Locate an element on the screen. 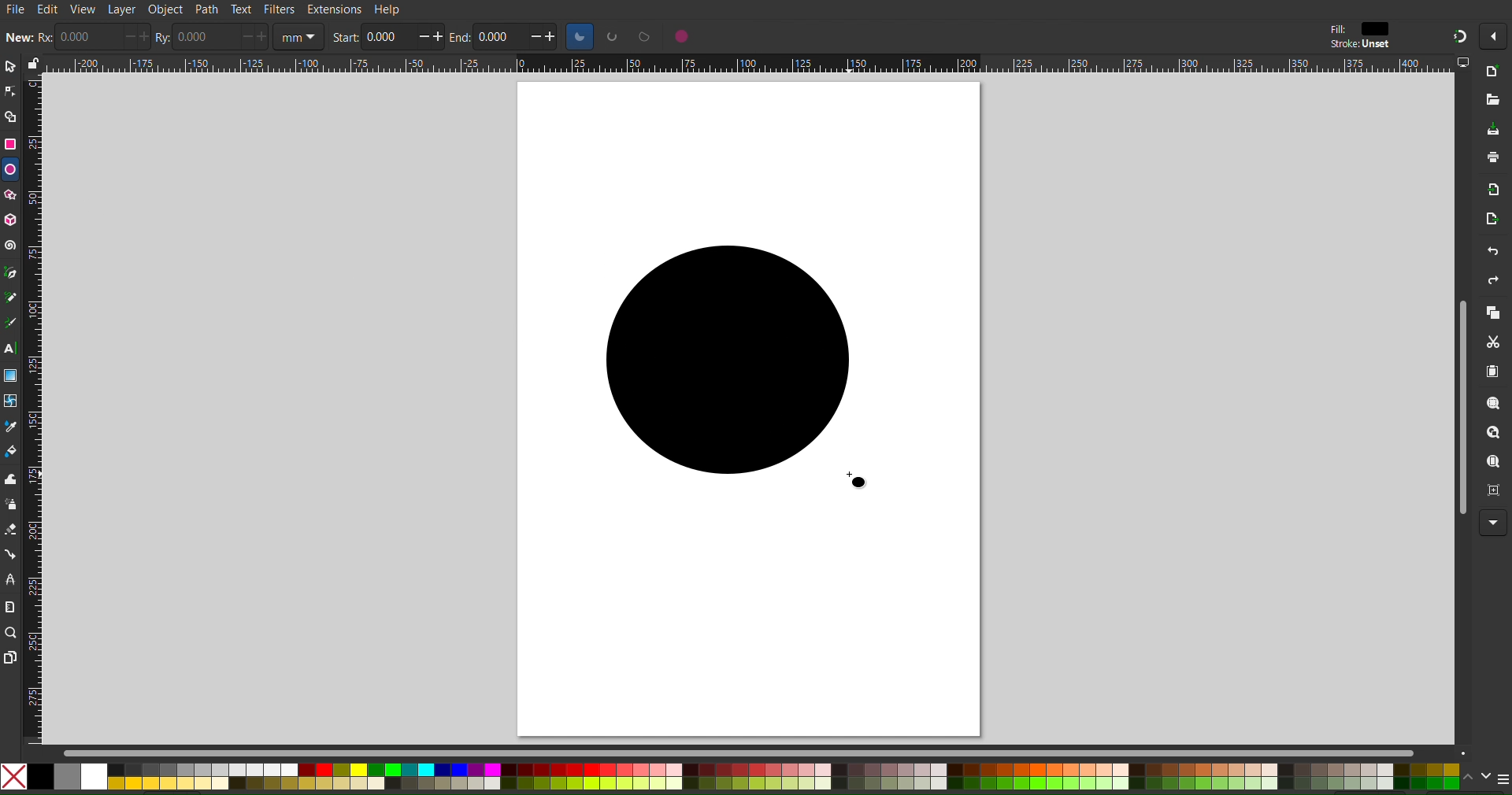  Zoom Tool is located at coordinates (9, 631).